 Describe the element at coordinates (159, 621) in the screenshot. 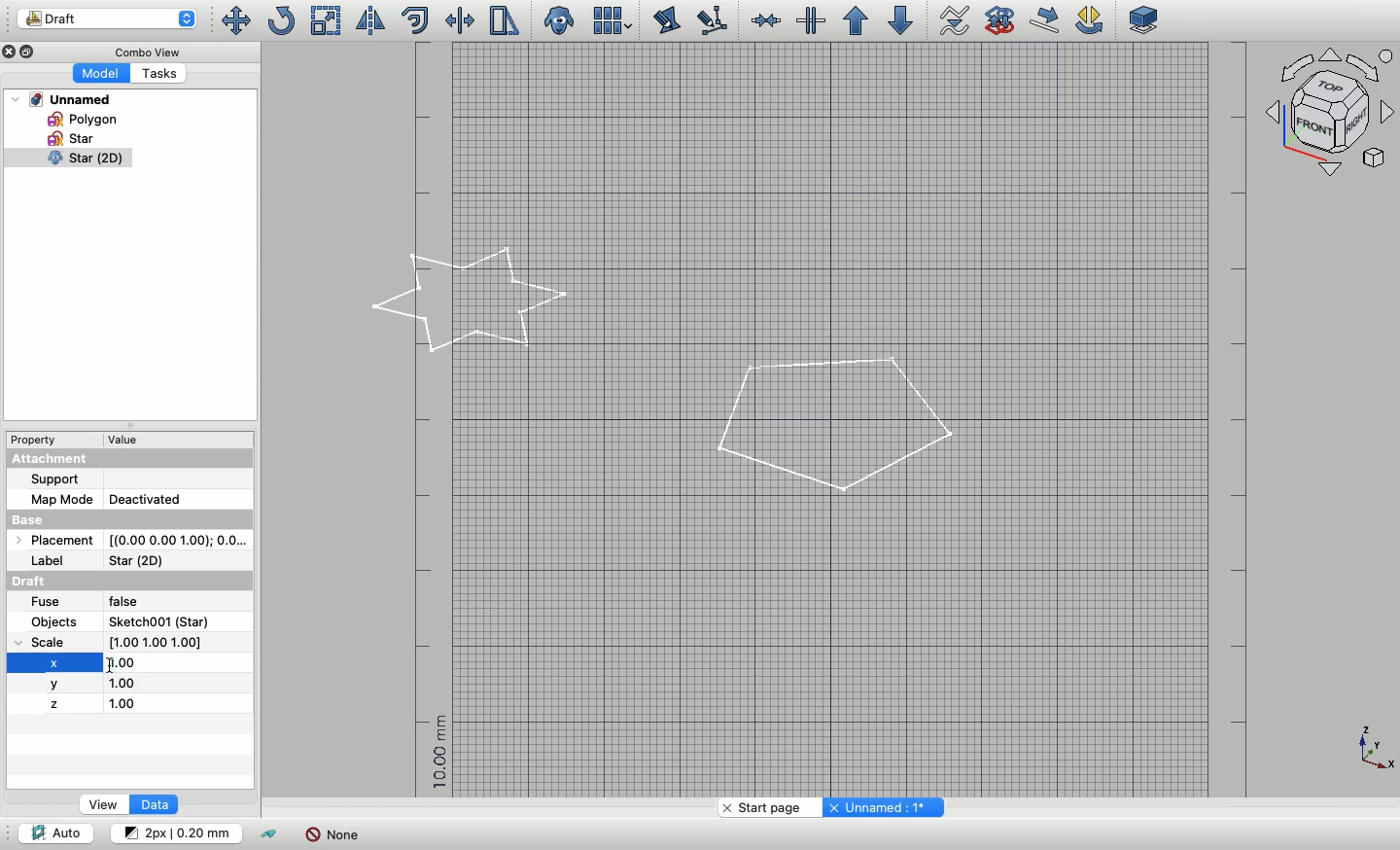

I see `Sketch001 (Star)` at that location.